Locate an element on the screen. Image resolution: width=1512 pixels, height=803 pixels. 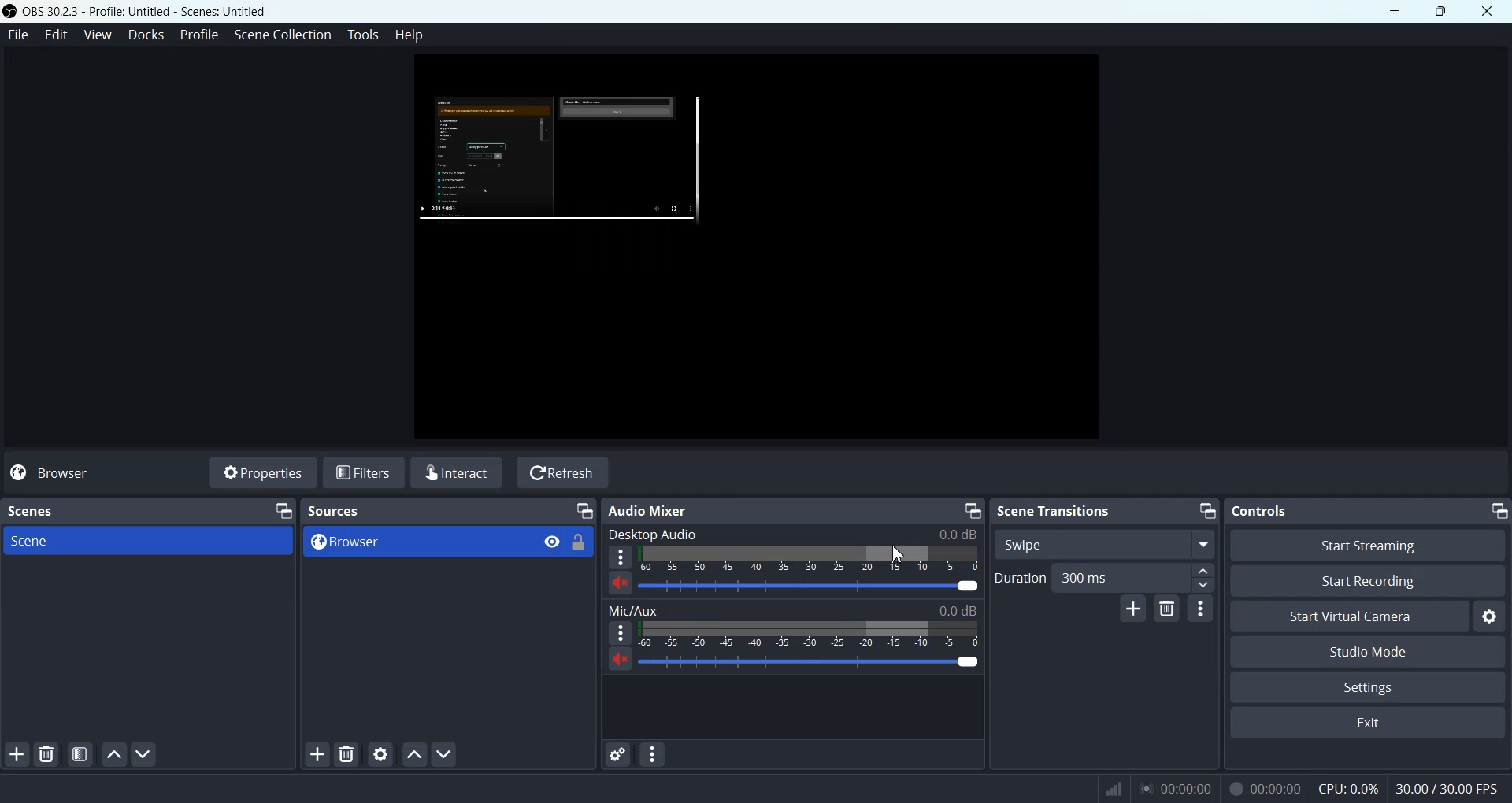
Mic/Aux is located at coordinates (794, 611).